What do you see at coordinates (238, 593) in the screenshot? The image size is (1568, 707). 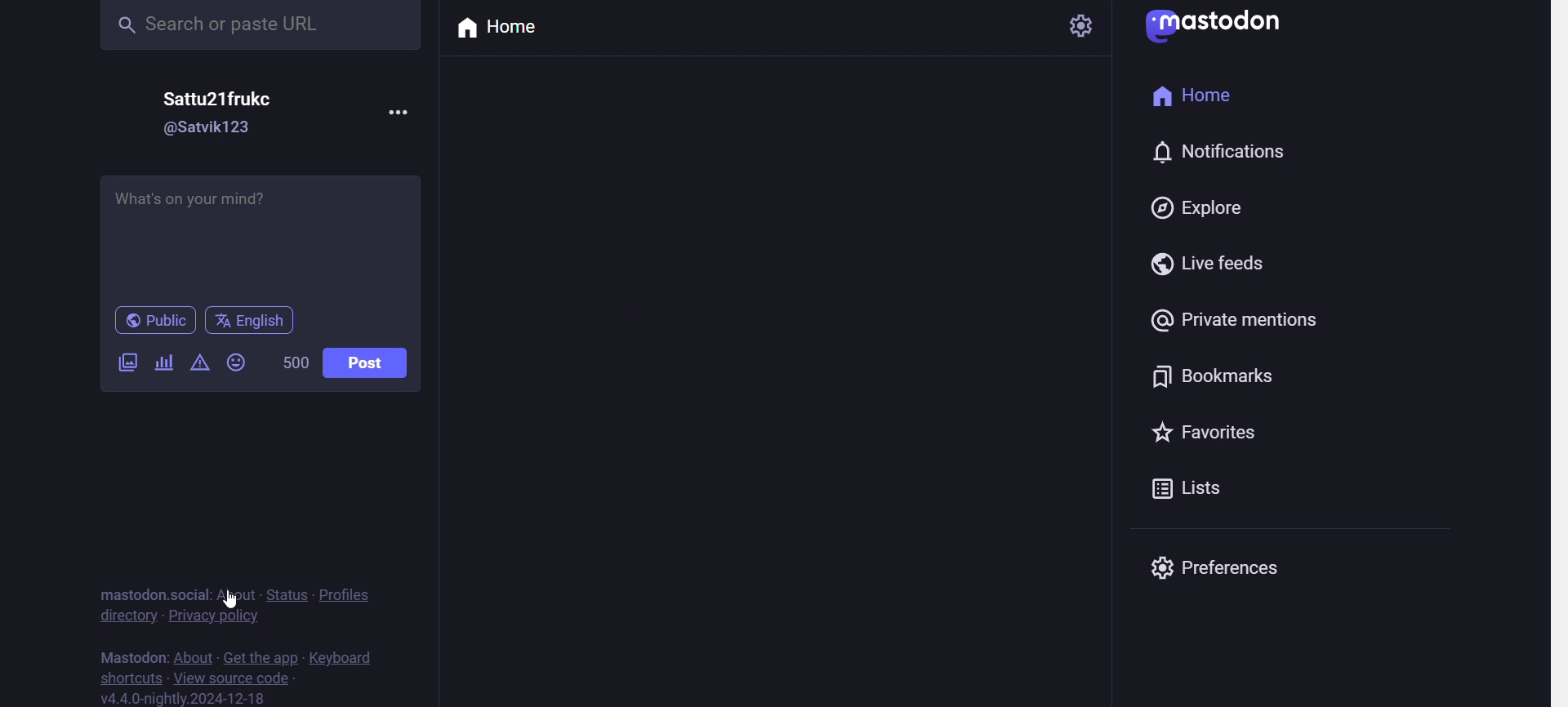 I see `about` at bounding box center [238, 593].